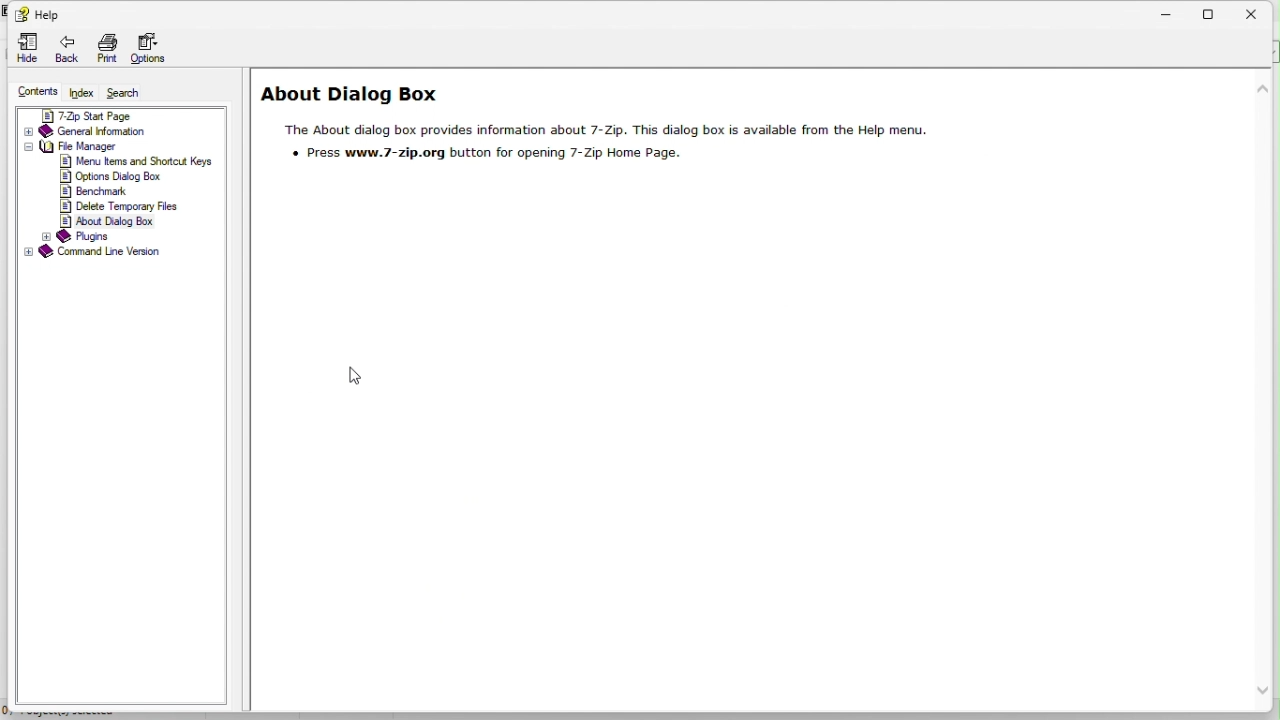 The height and width of the screenshot is (720, 1280). Describe the element at coordinates (1266, 691) in the screenshot. I see `scroll down` at that location.